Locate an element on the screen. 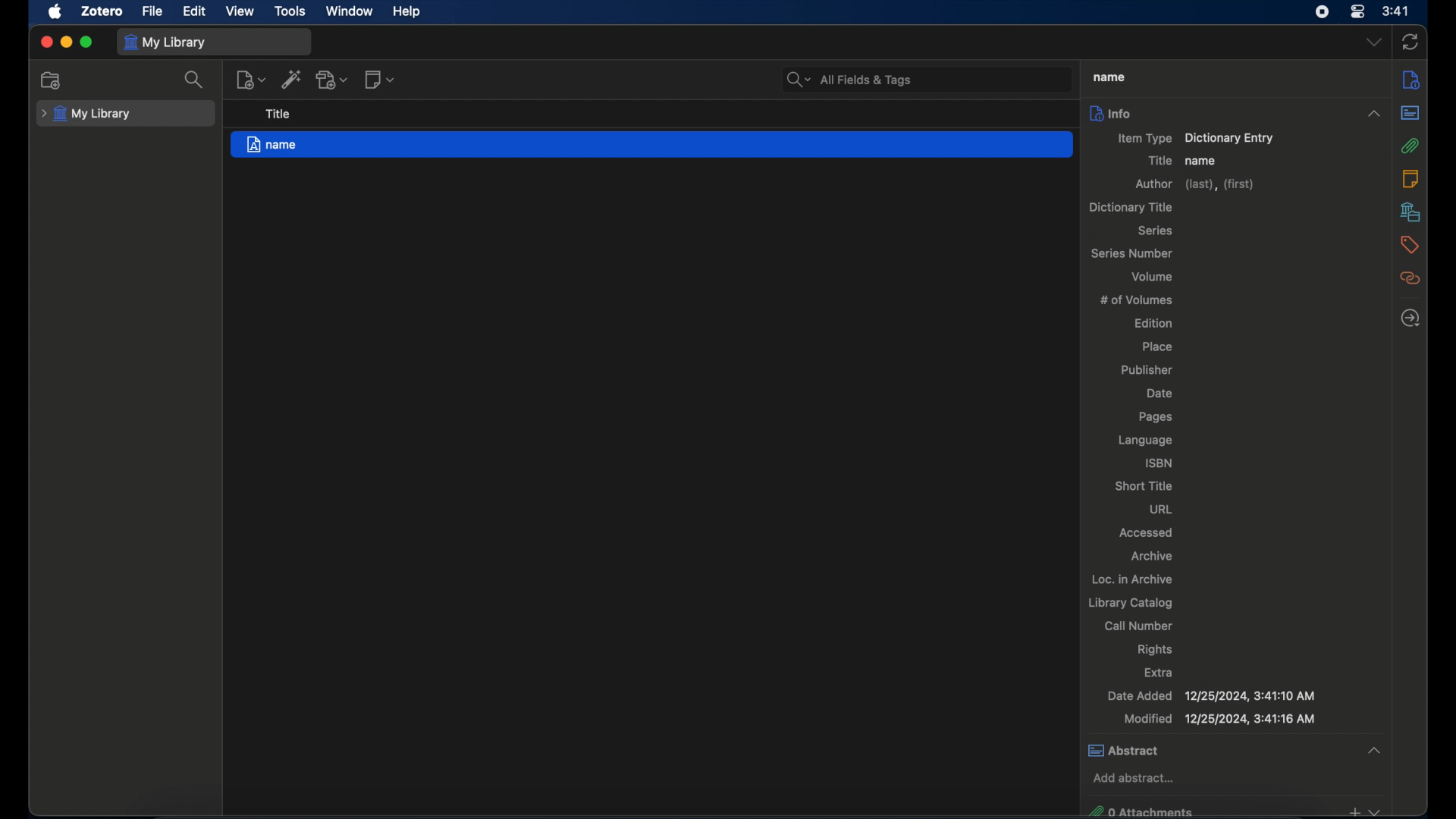  minimize is located at coordinates (67, 42).